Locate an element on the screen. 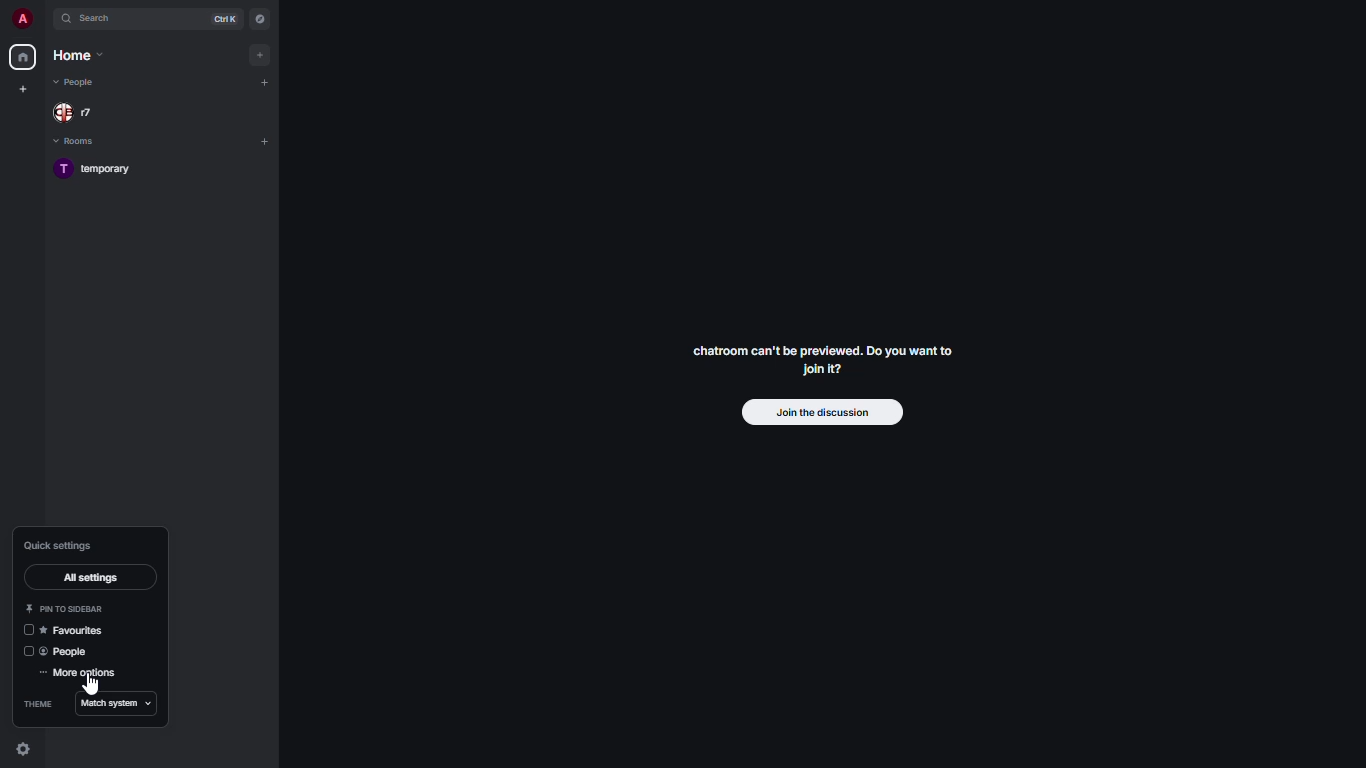  expand is located at coordinates (48, 19).